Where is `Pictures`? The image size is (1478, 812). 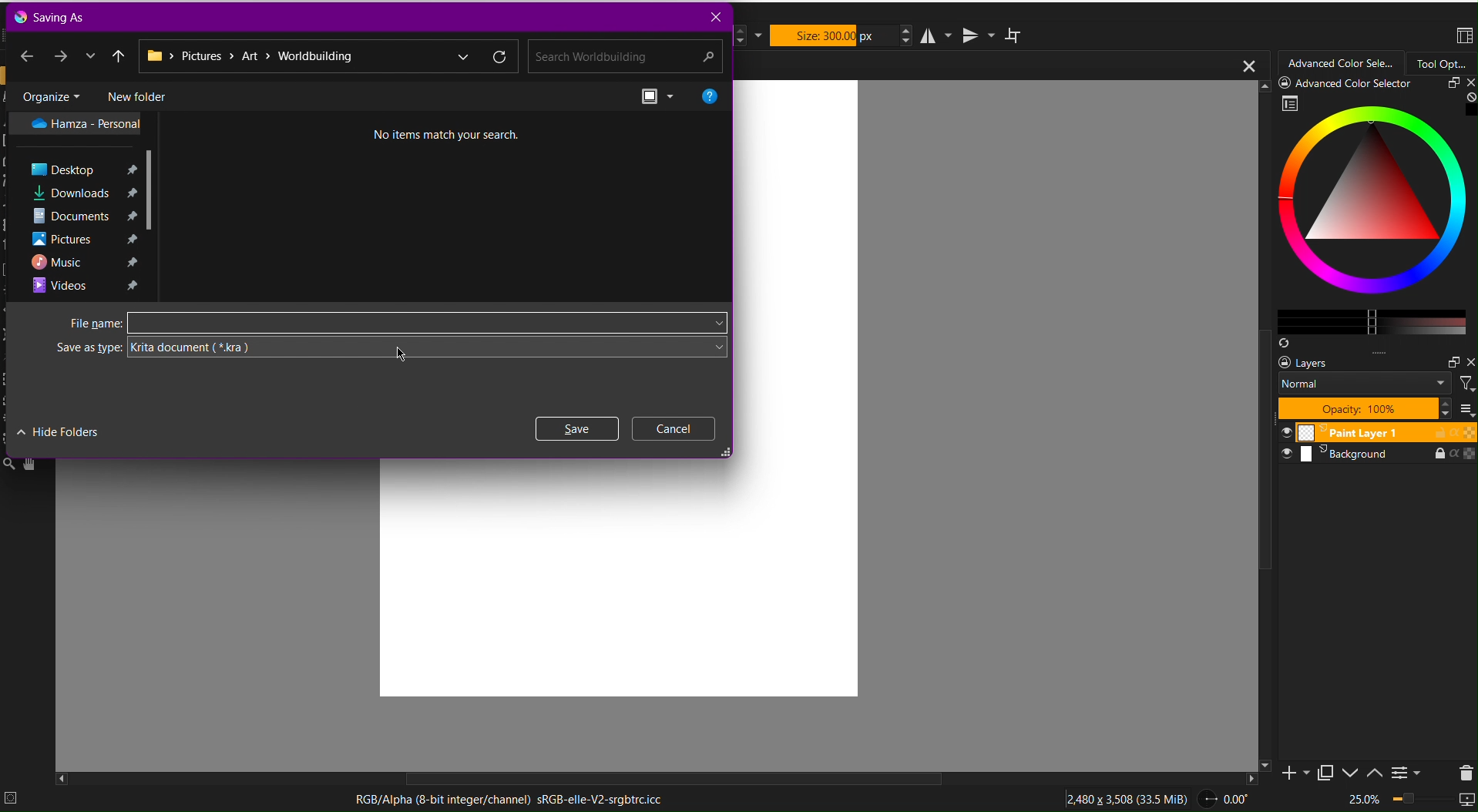 Pictures is located at coordinates (62, 239).